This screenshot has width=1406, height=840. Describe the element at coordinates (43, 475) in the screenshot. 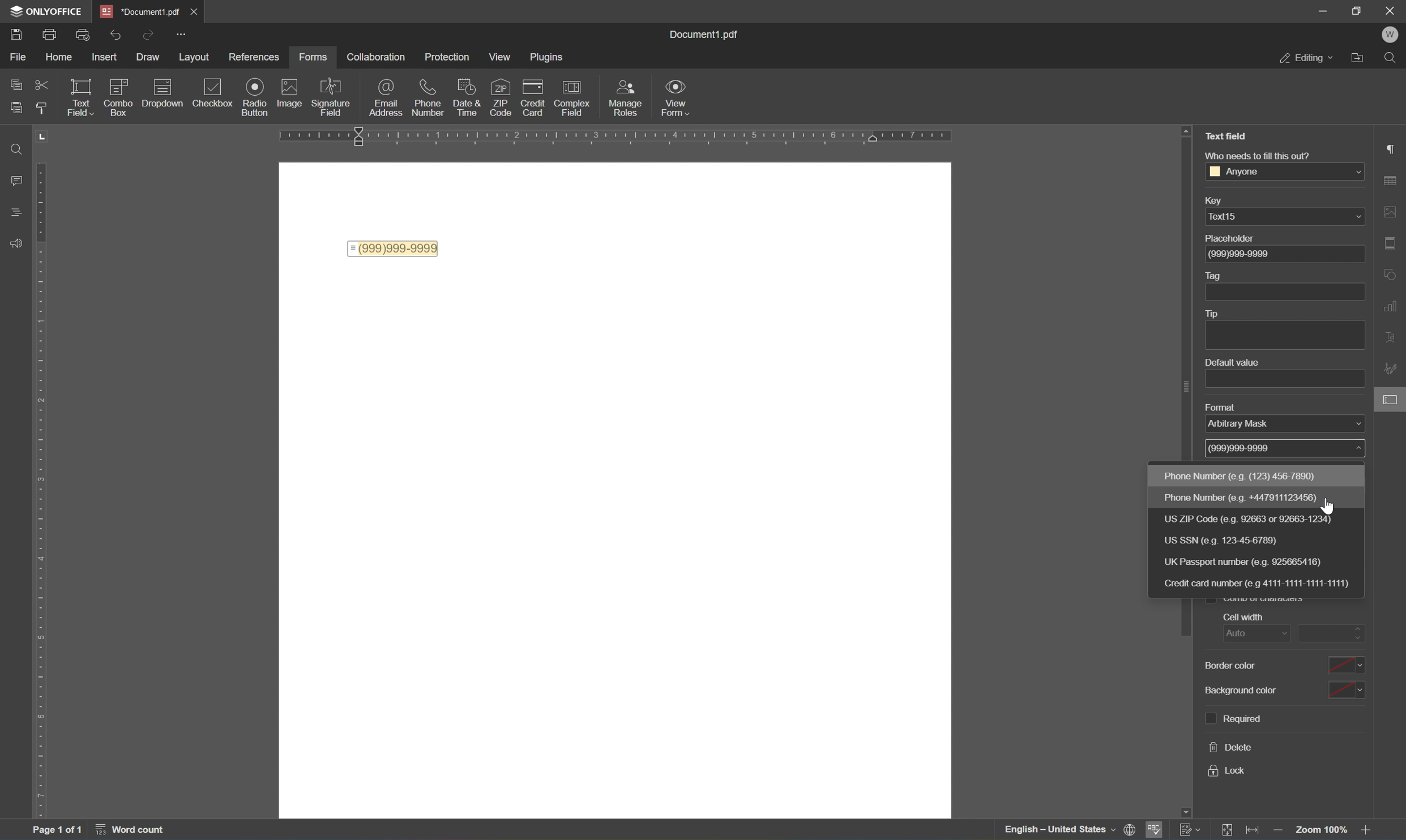

I see `ruler` at that location.